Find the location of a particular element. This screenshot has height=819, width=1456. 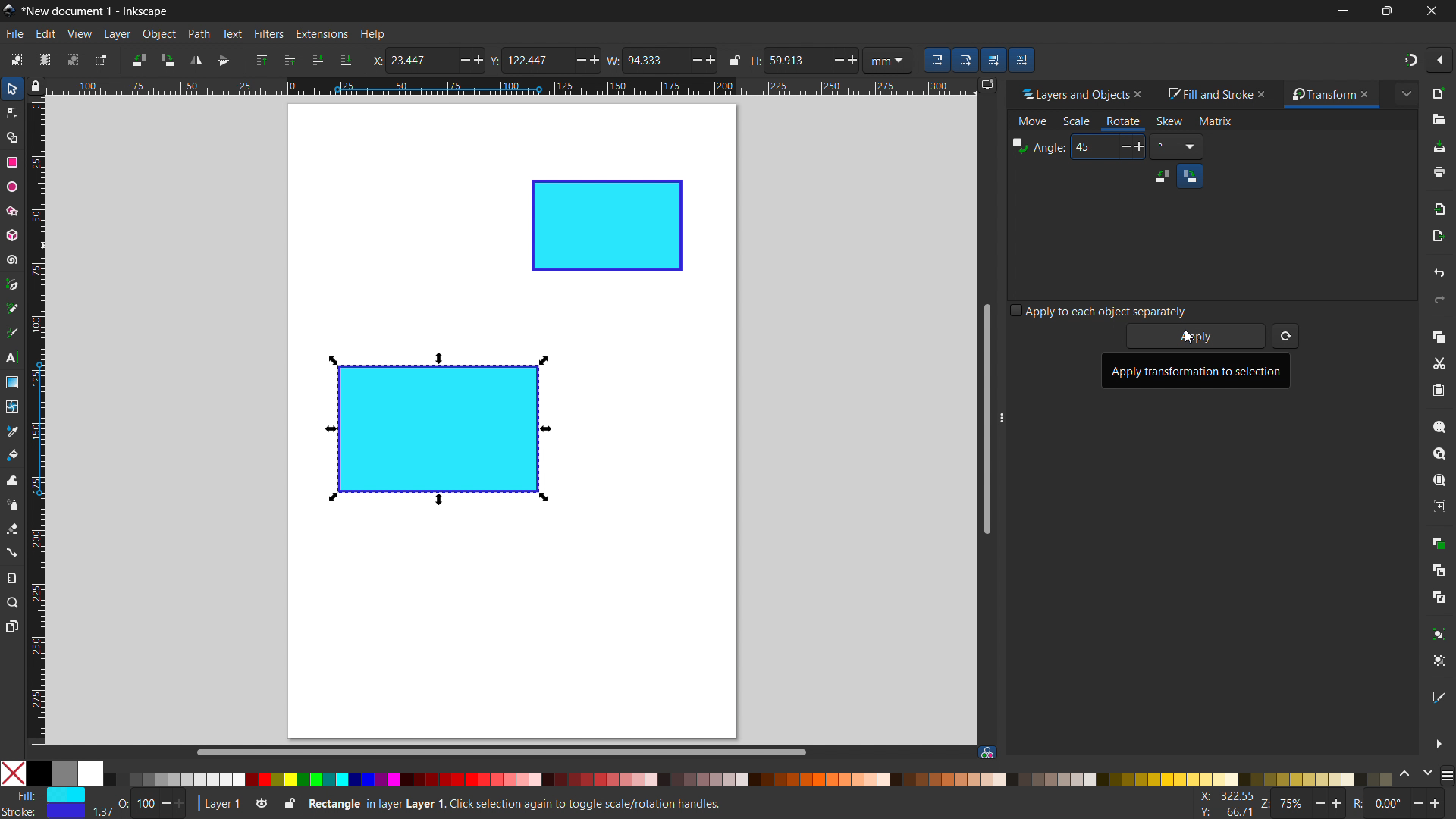

rotate 90 cw is located at coordinates (167, 60).